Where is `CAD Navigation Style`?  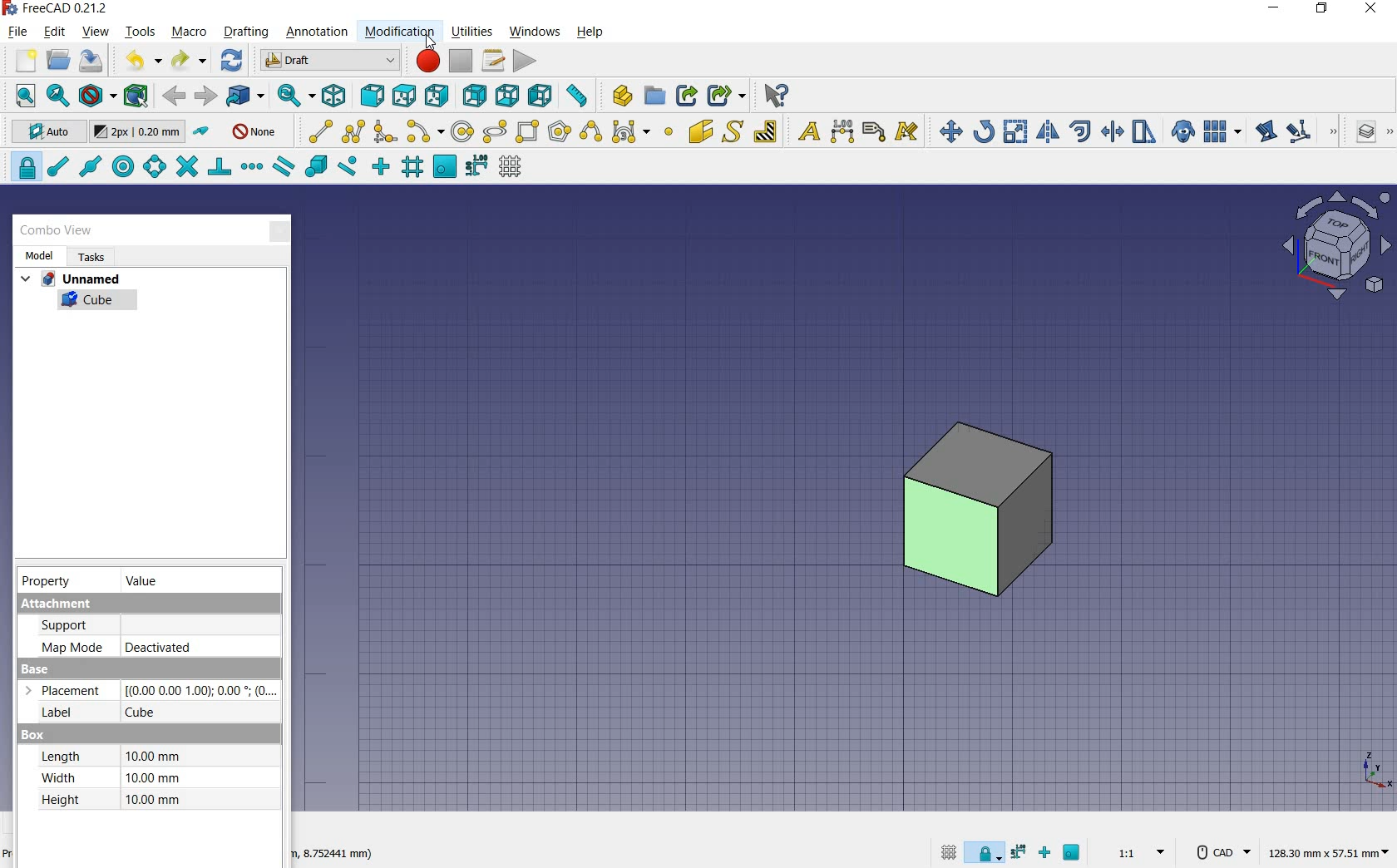
CAD Navigation Style is located at coordinates (1220, 851).